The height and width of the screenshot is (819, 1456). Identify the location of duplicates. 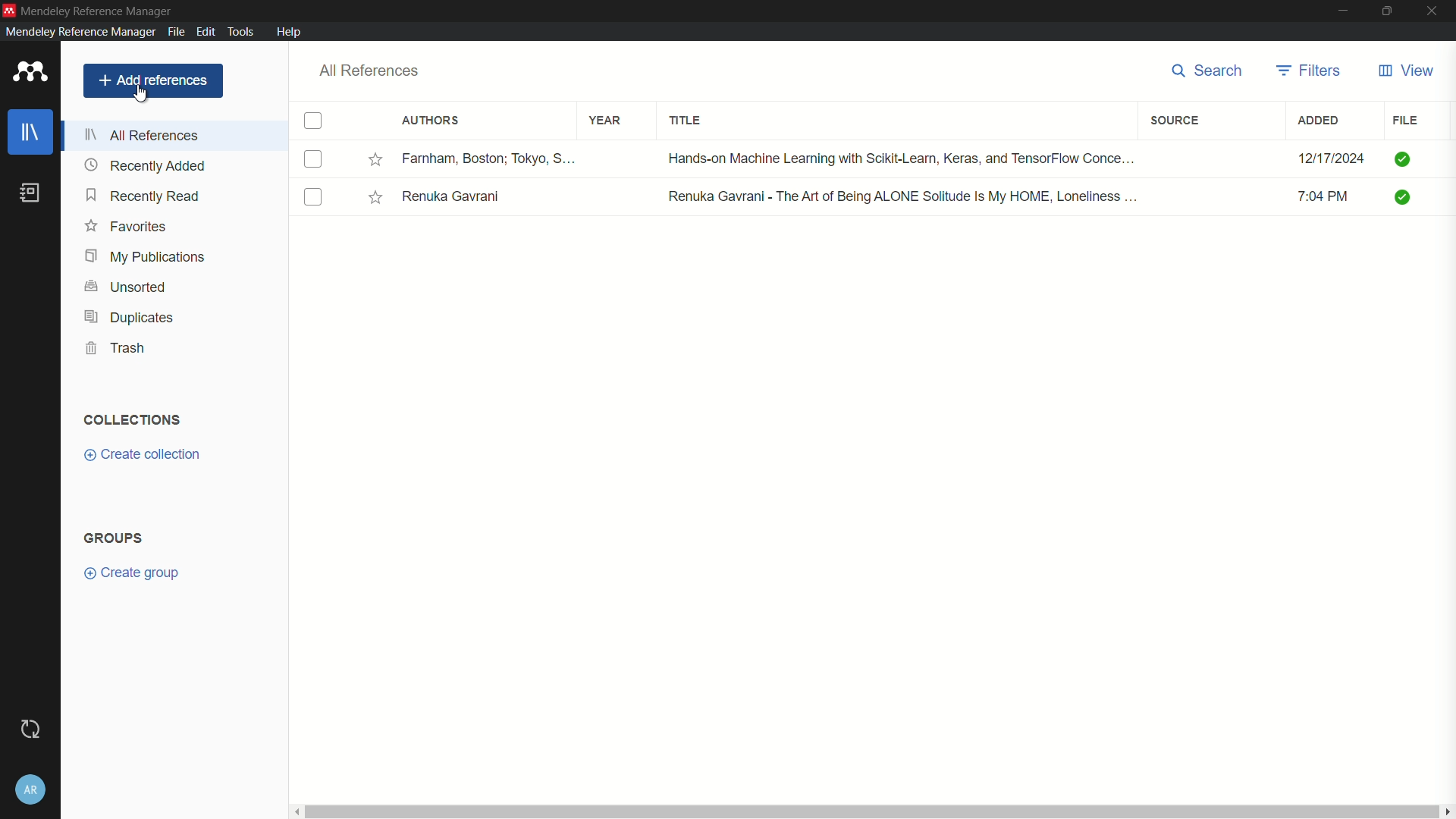
(130, 317).